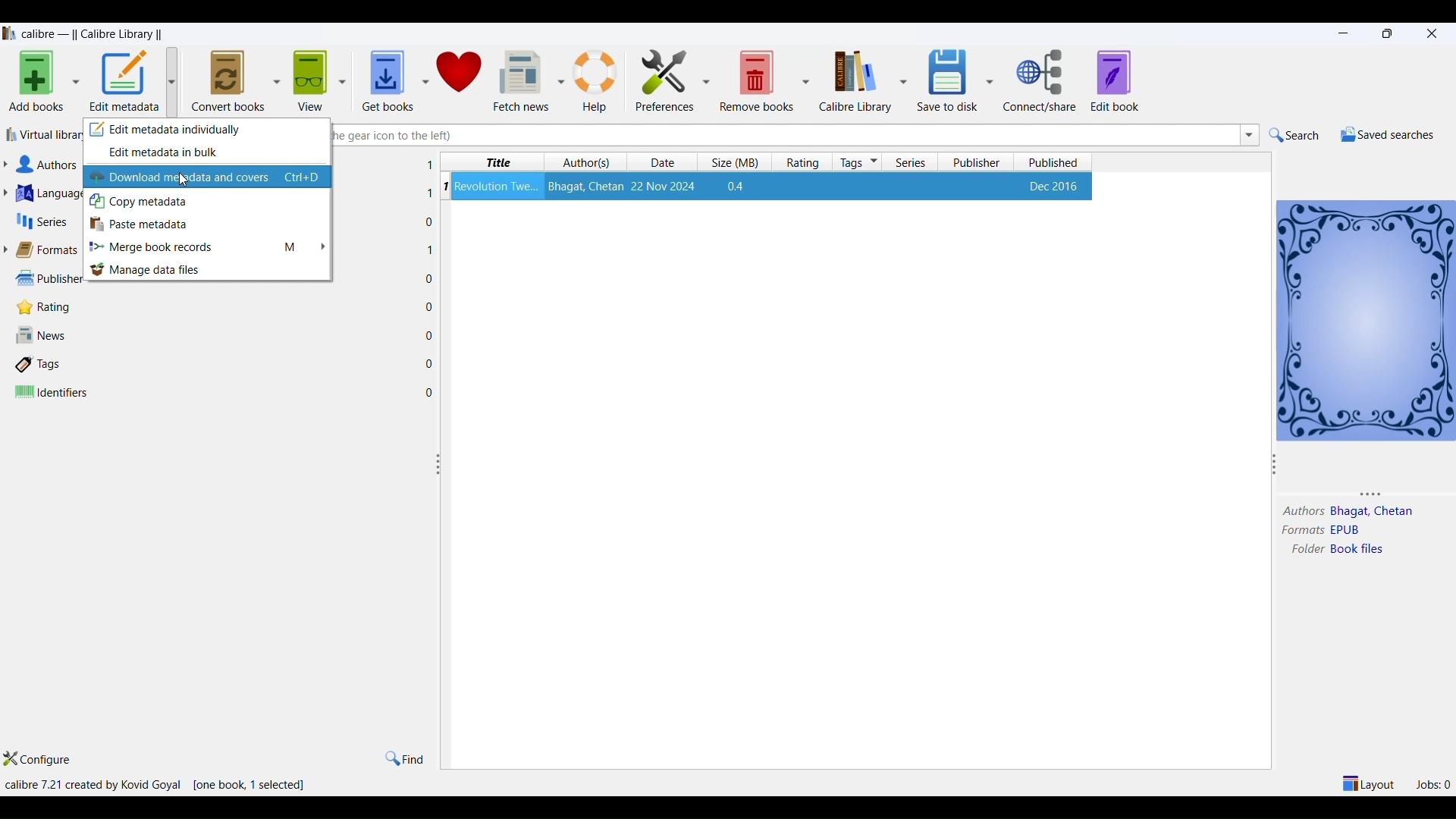 This screenshot has height=819, width=1456. What do you see at coordinates (187, 180) in the screenshot?
I see `cursor` at bounding box center [187, 180].